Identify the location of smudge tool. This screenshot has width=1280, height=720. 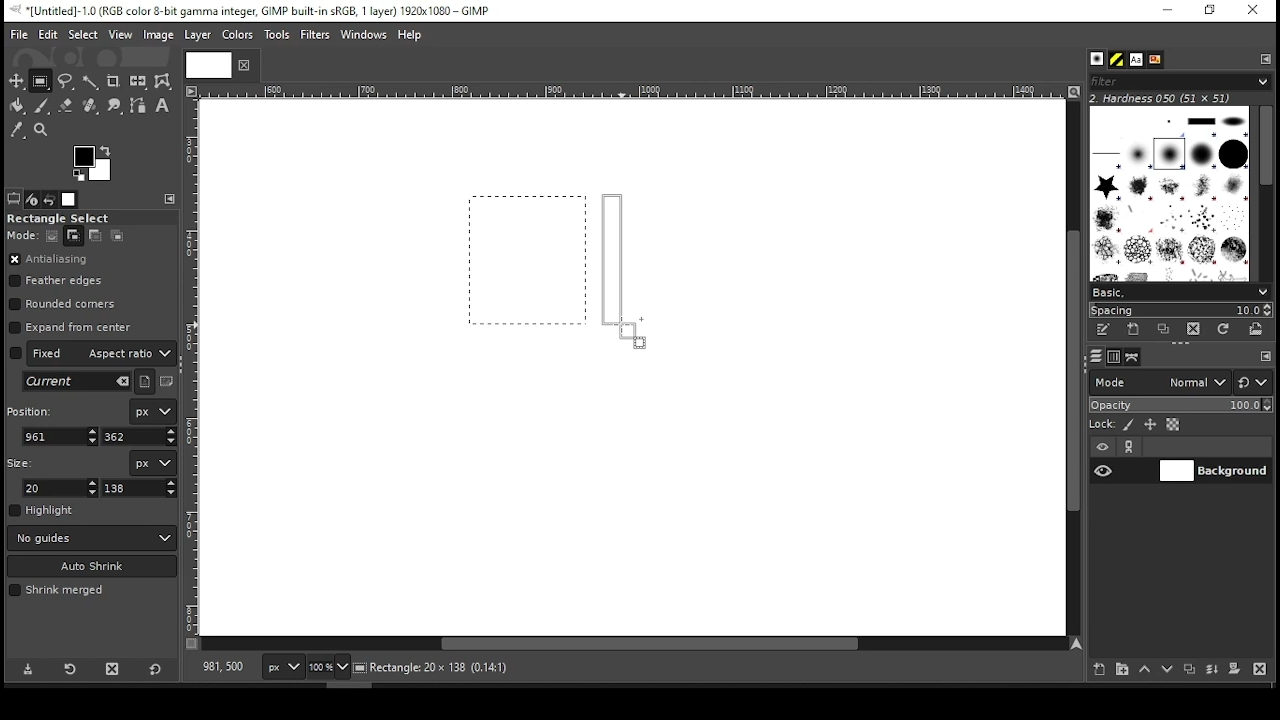
(116, 106).